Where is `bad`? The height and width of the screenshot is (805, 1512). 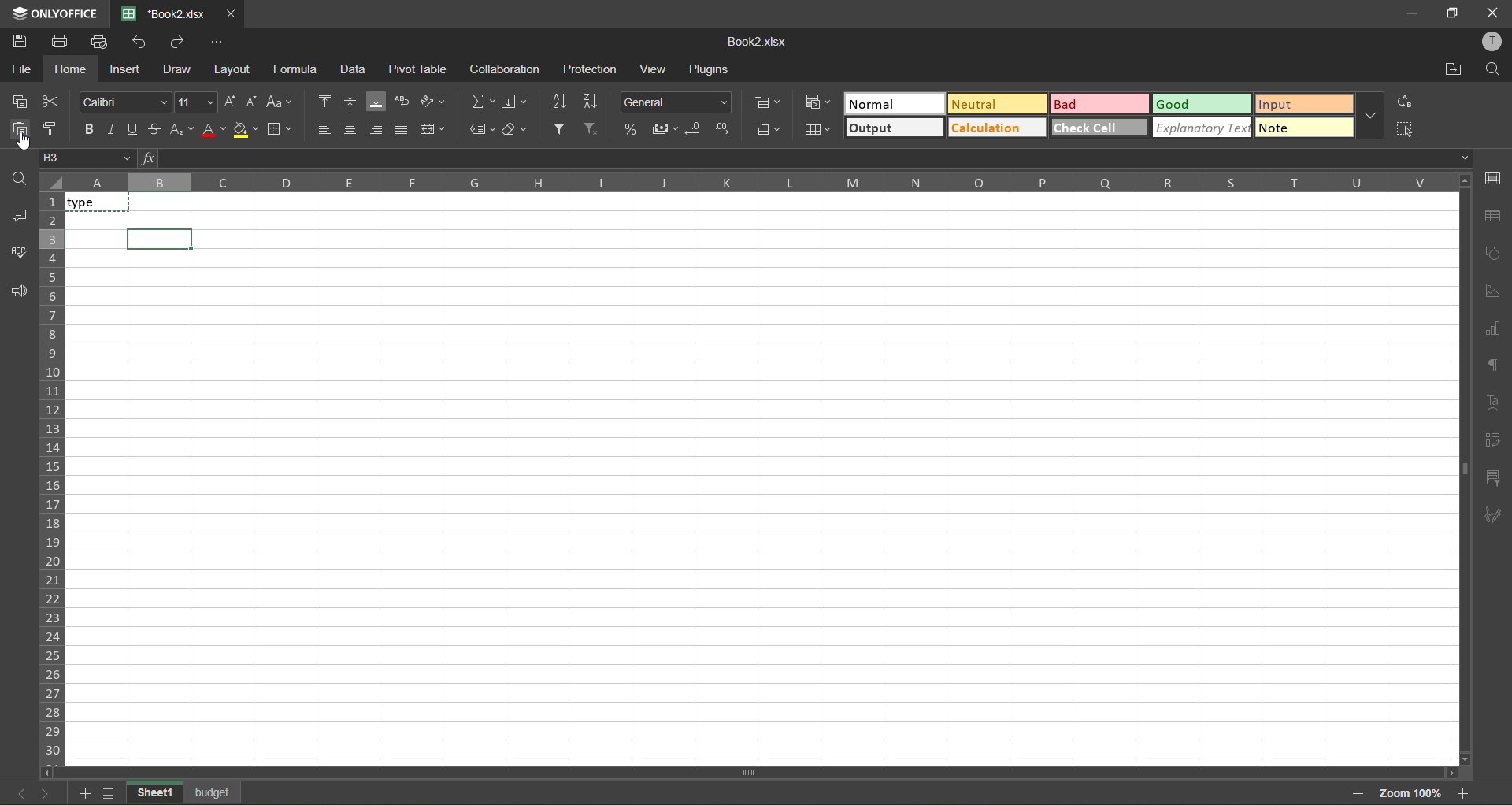
bad is located at coordinates (1099, 103).